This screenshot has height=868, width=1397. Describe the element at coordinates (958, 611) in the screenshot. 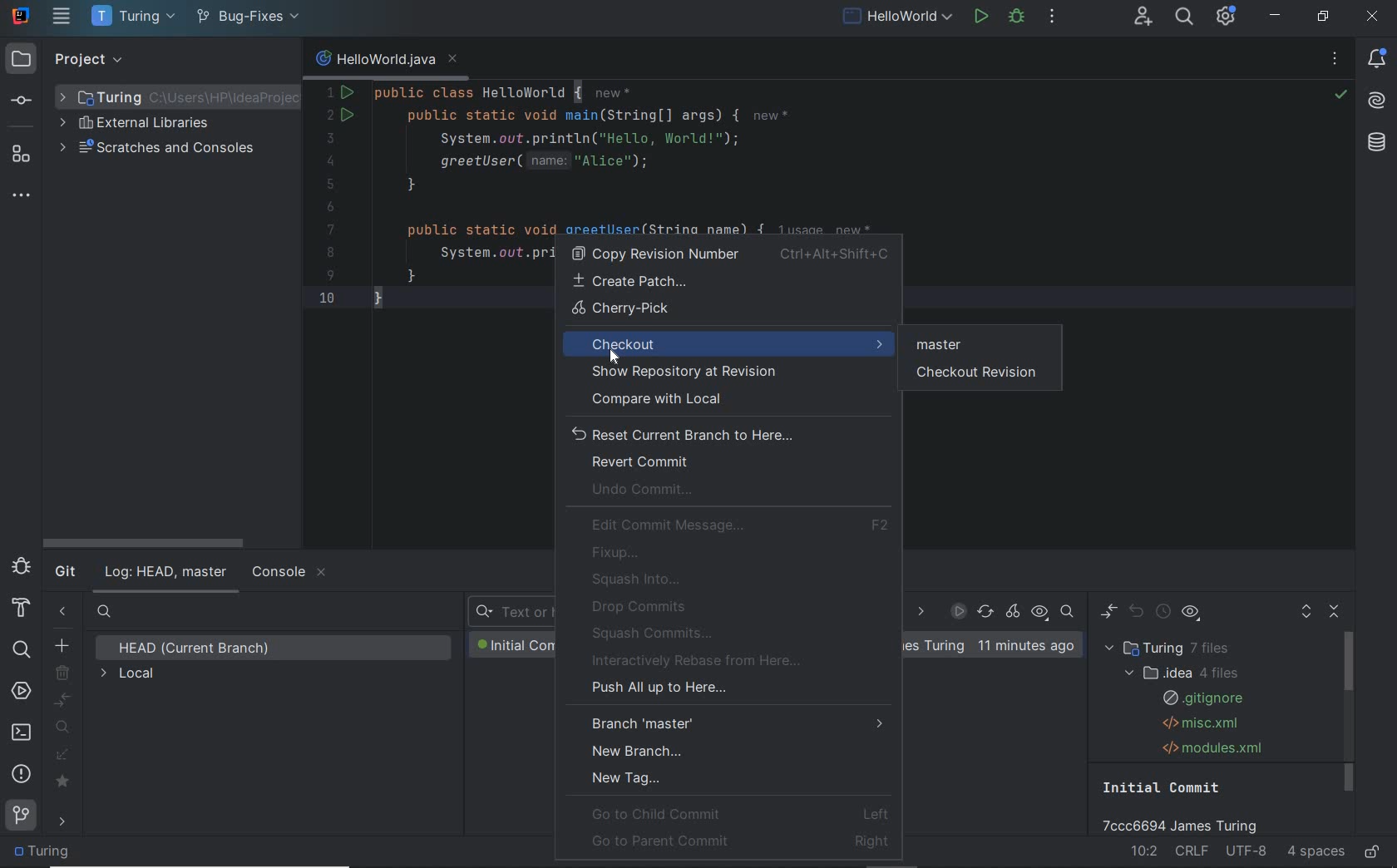

I see `ENABLE GIT LOG INDEXING` at that location.